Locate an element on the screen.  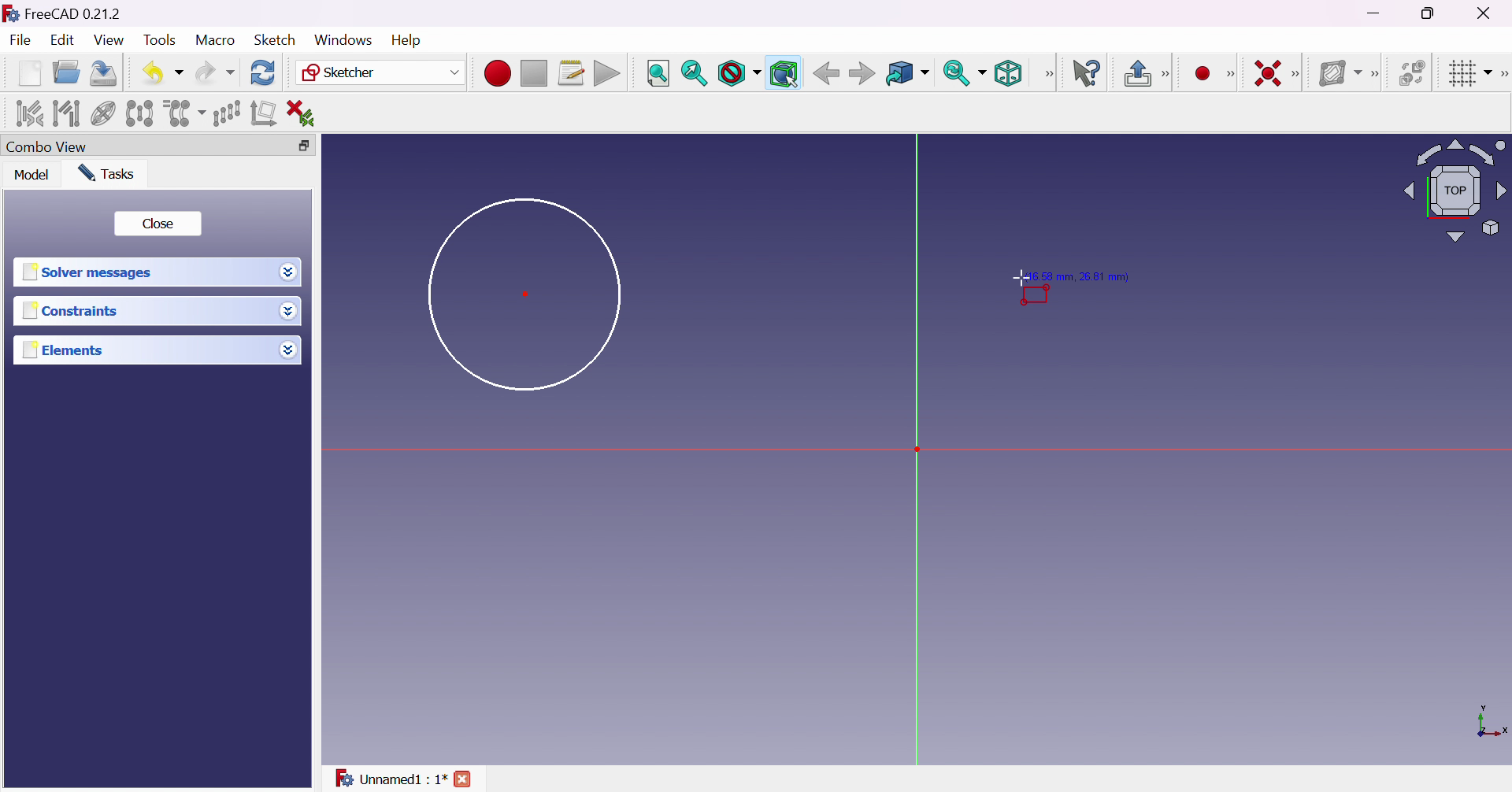
Draw style is located at coordinates (739, 74).